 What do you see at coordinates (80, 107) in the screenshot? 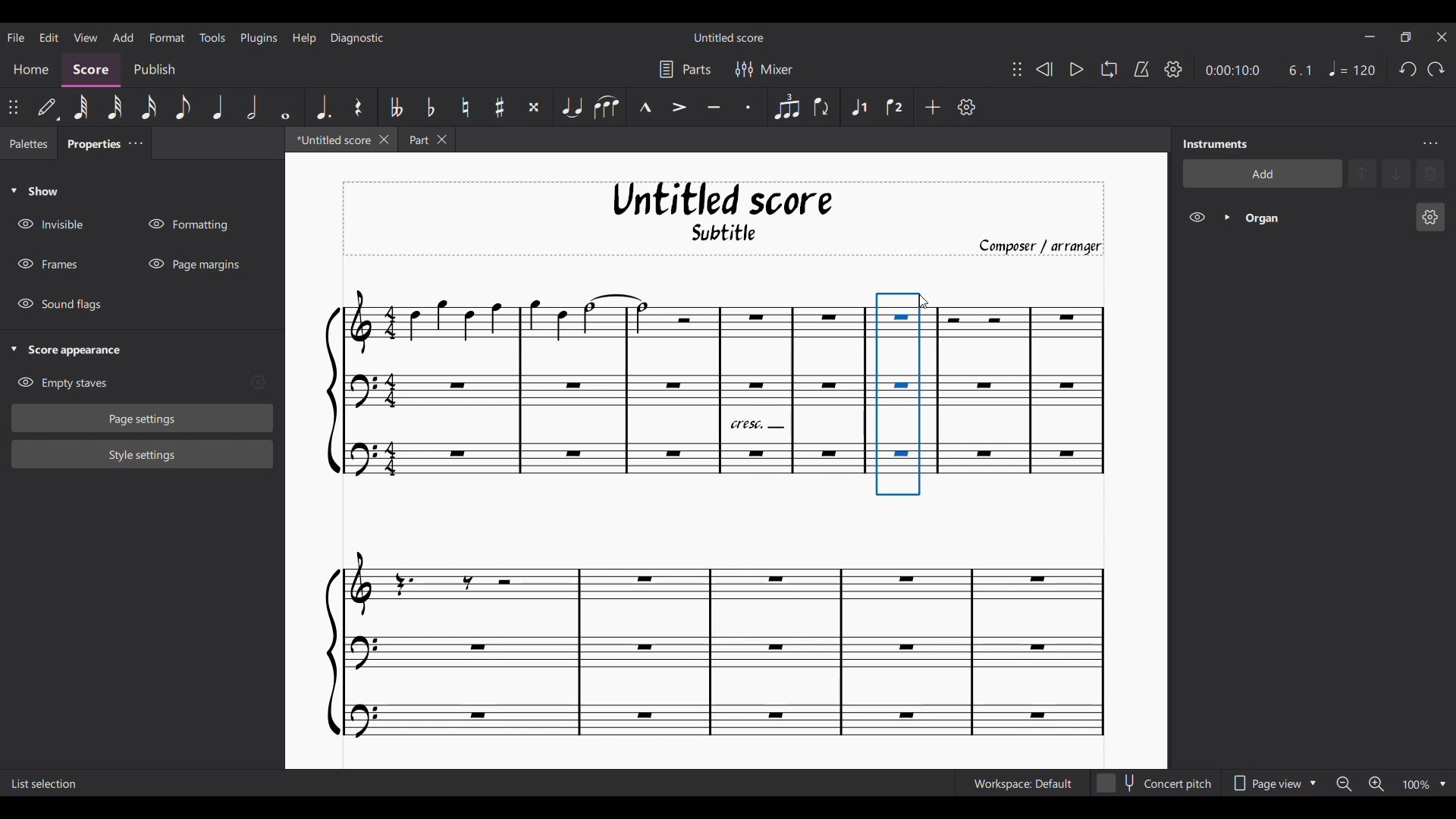
I see `64th note` at bounding box center [80, 107].